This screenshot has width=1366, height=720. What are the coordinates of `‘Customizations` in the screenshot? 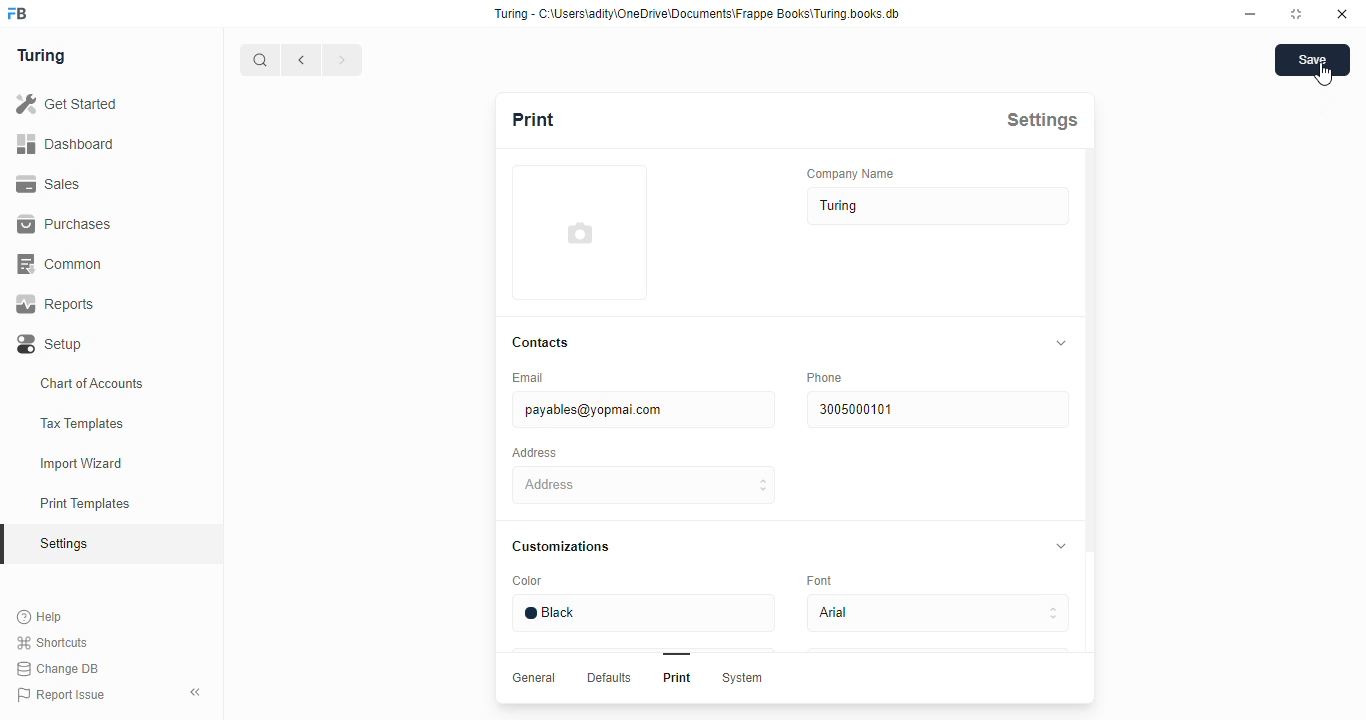 It's located at (565, 547).